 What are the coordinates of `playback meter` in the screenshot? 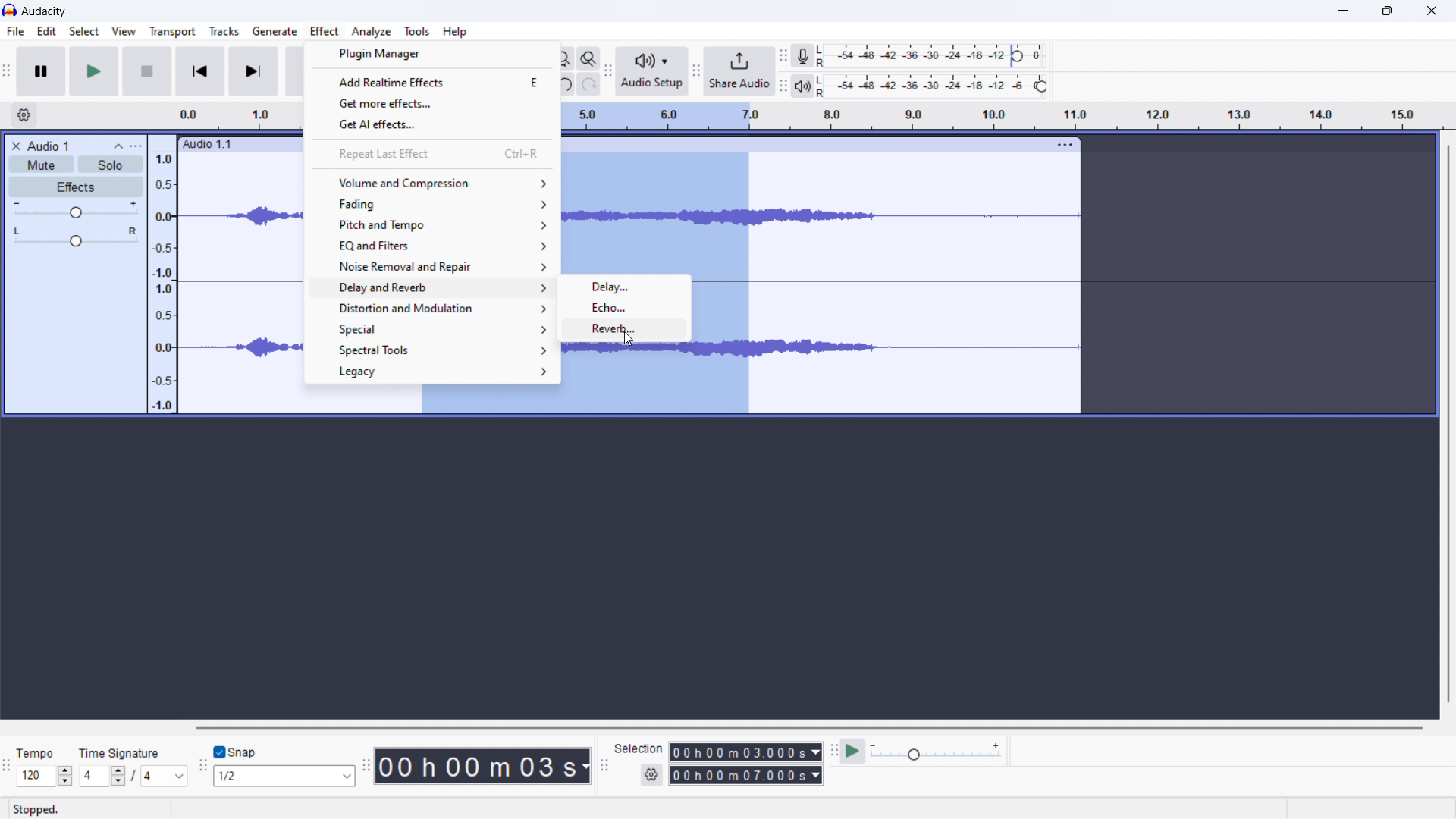 It's located at (804, 86).